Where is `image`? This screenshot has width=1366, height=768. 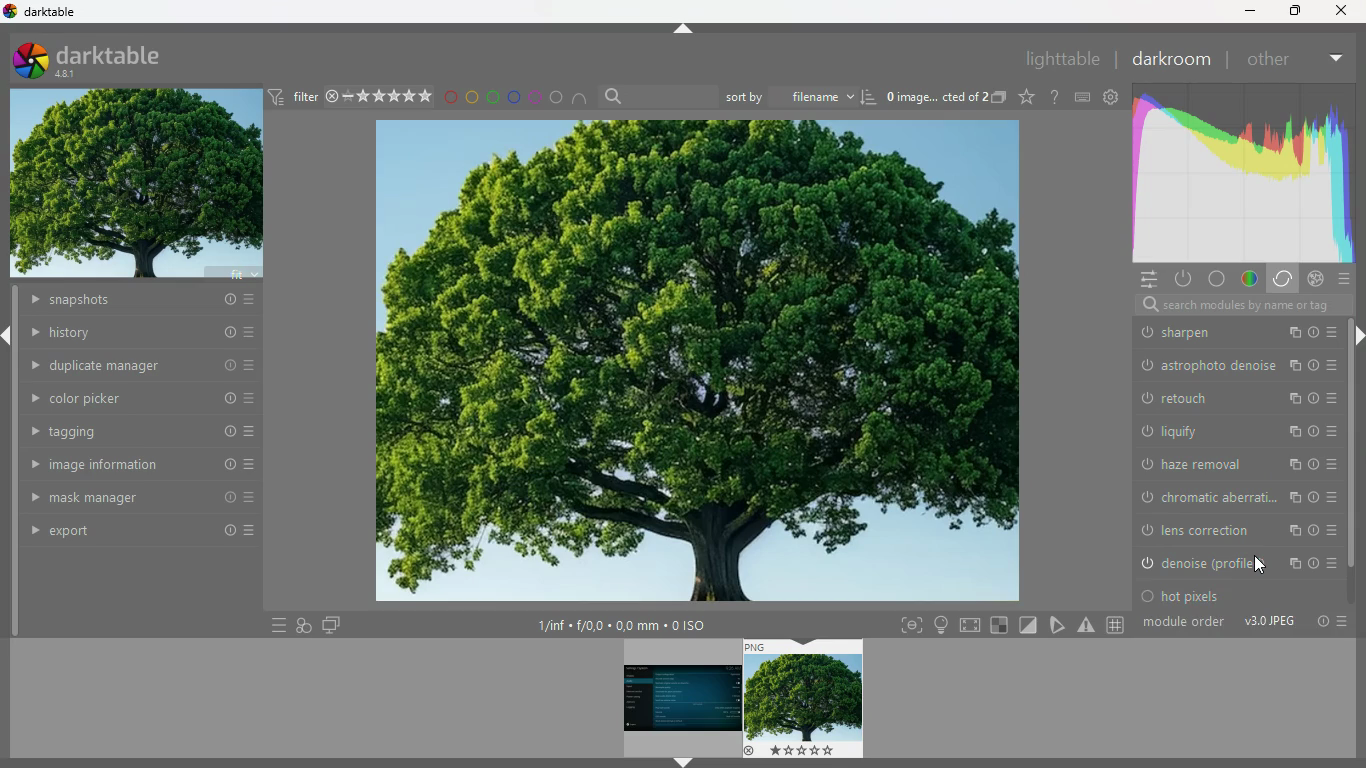 image is located at coordinates (699, 364).